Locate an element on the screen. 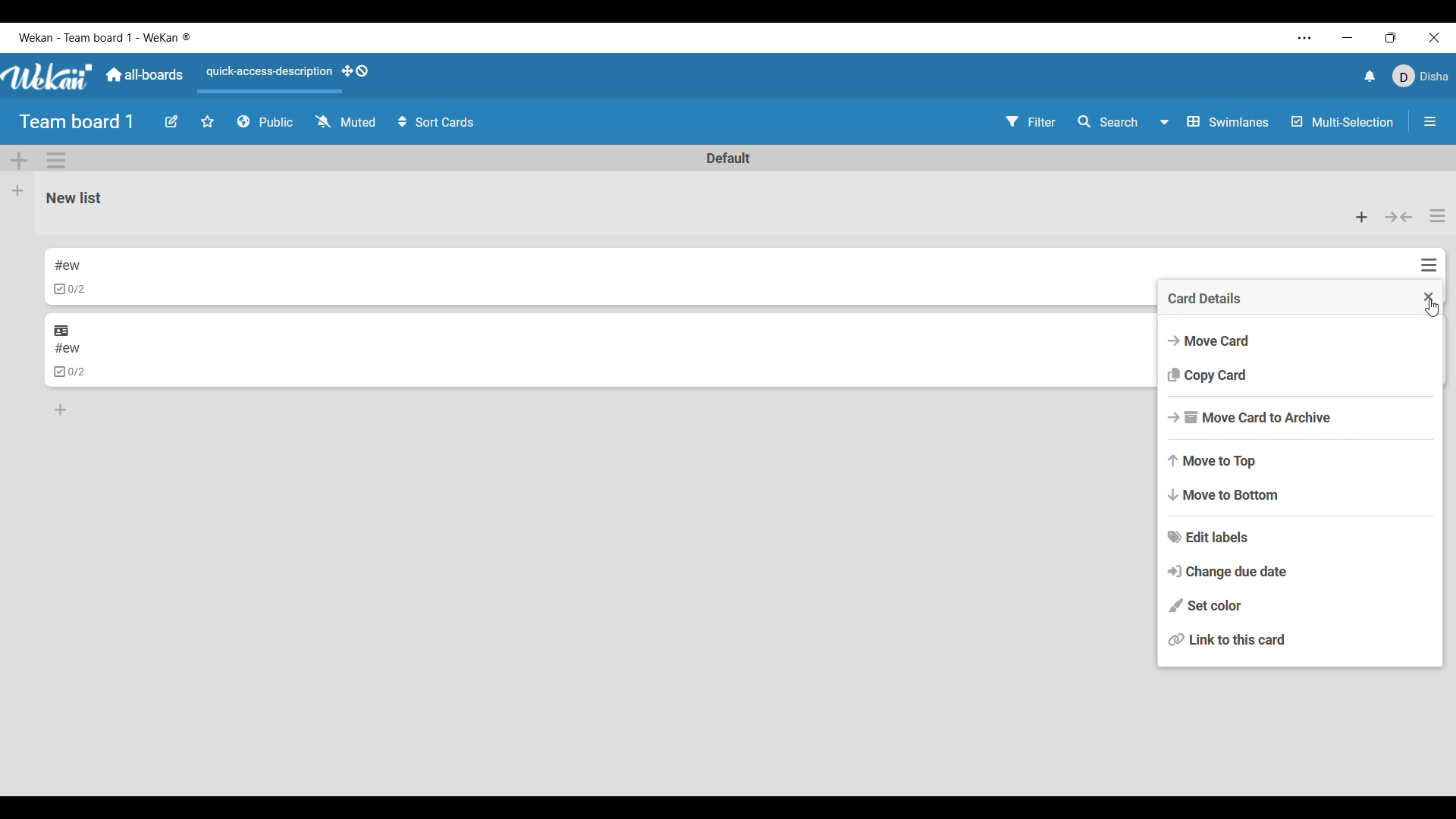 The image size is (1456, 819). Edit labels is located at coordinates (1301, 537).